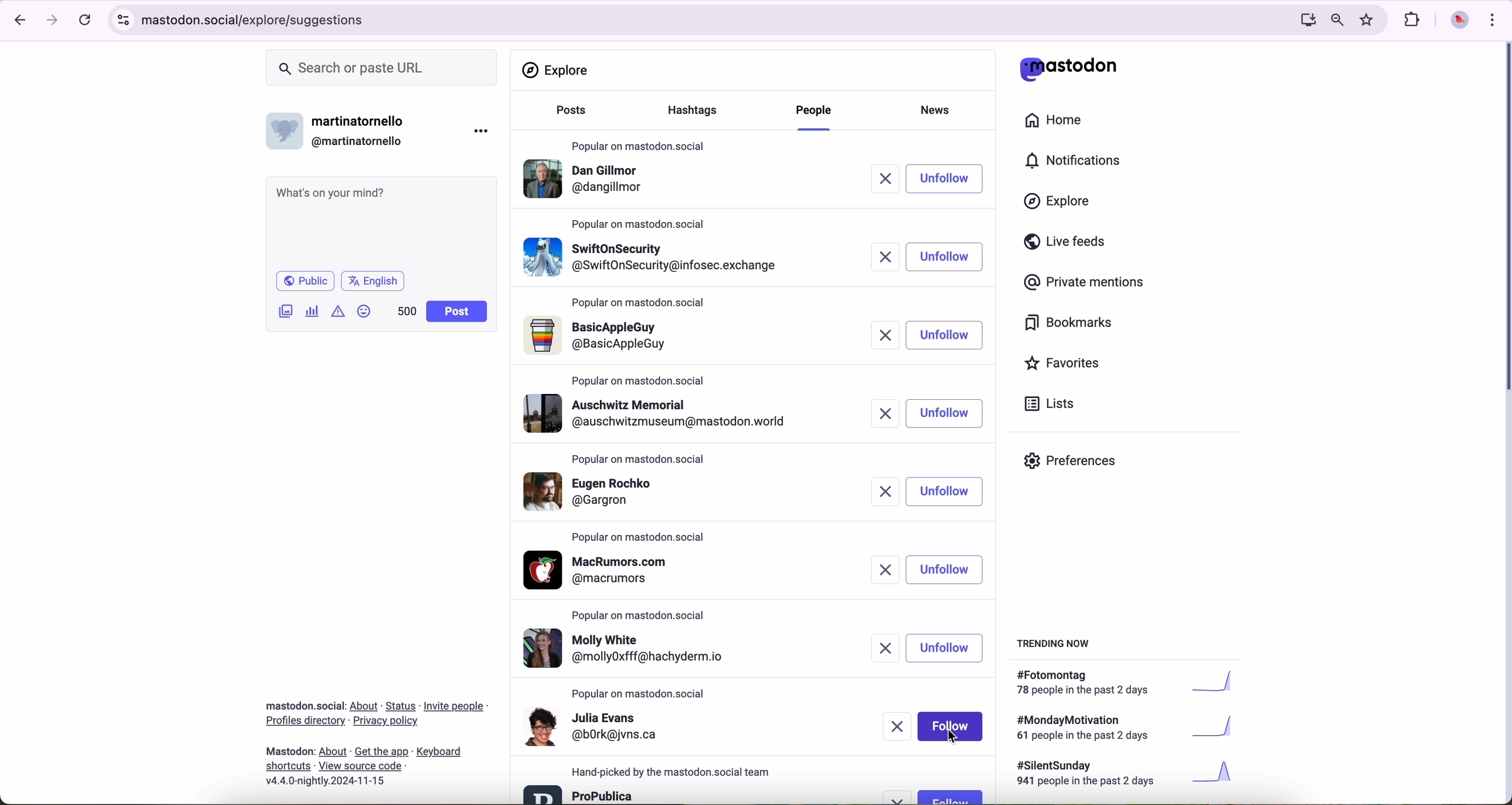 This screenshot has height=805, width=1512. I want to click on unfollow, so click(946, 413).